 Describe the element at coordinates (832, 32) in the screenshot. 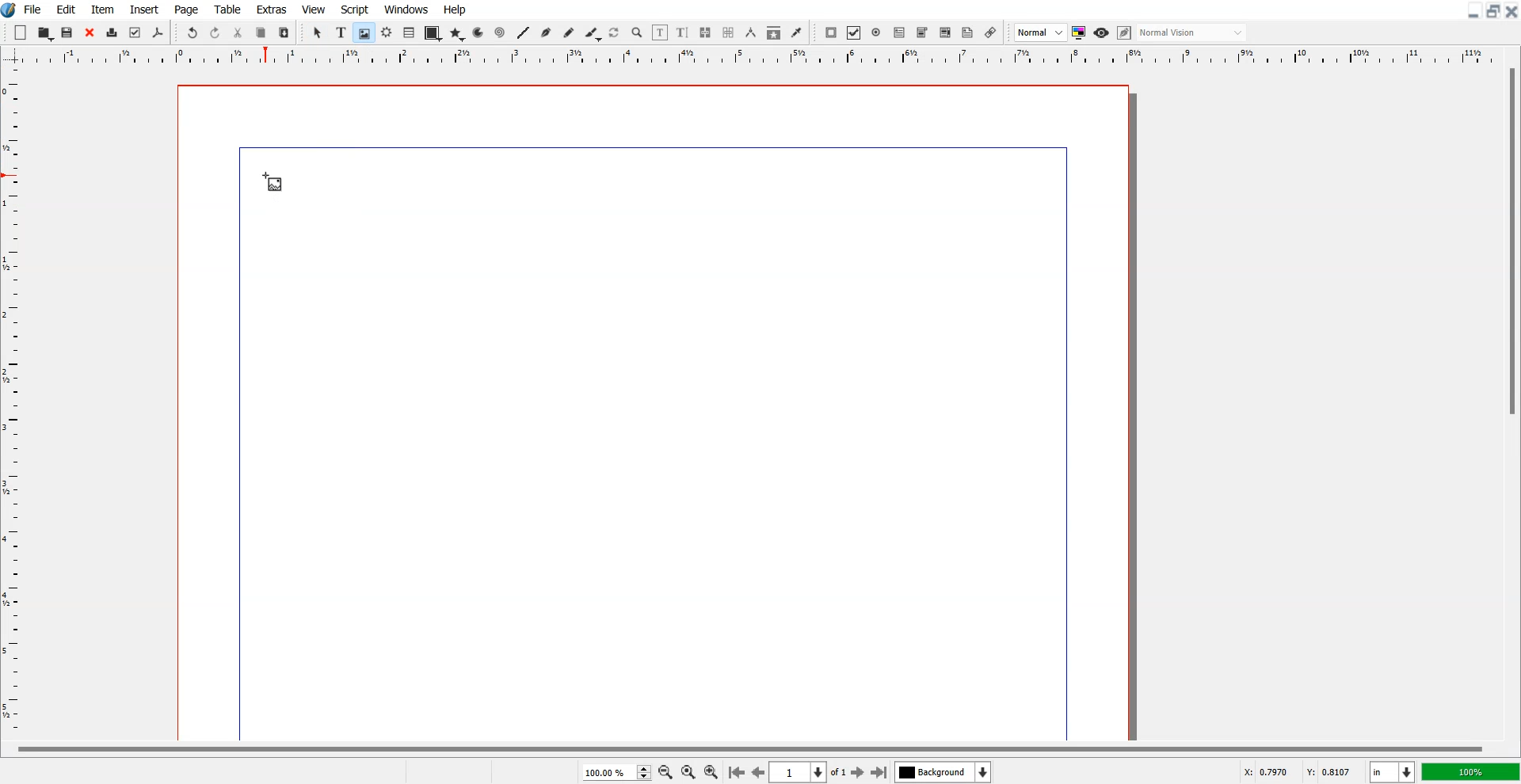

I see `PDF Push Button` at that location.